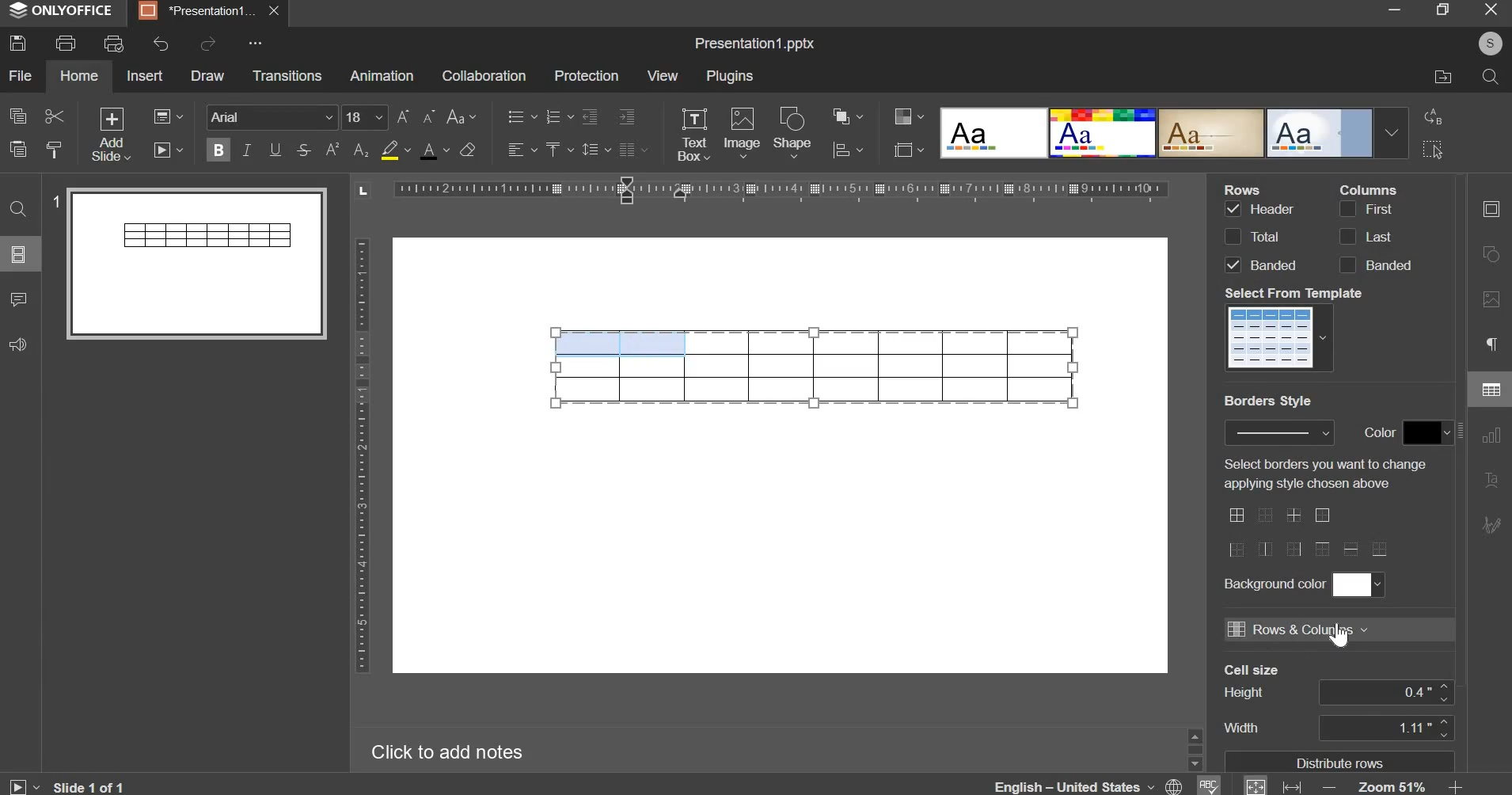 The image size is (1512, 795). Describe the element at coordinates (1491, 371) in the screenshot. I see `right side menu` at that location.